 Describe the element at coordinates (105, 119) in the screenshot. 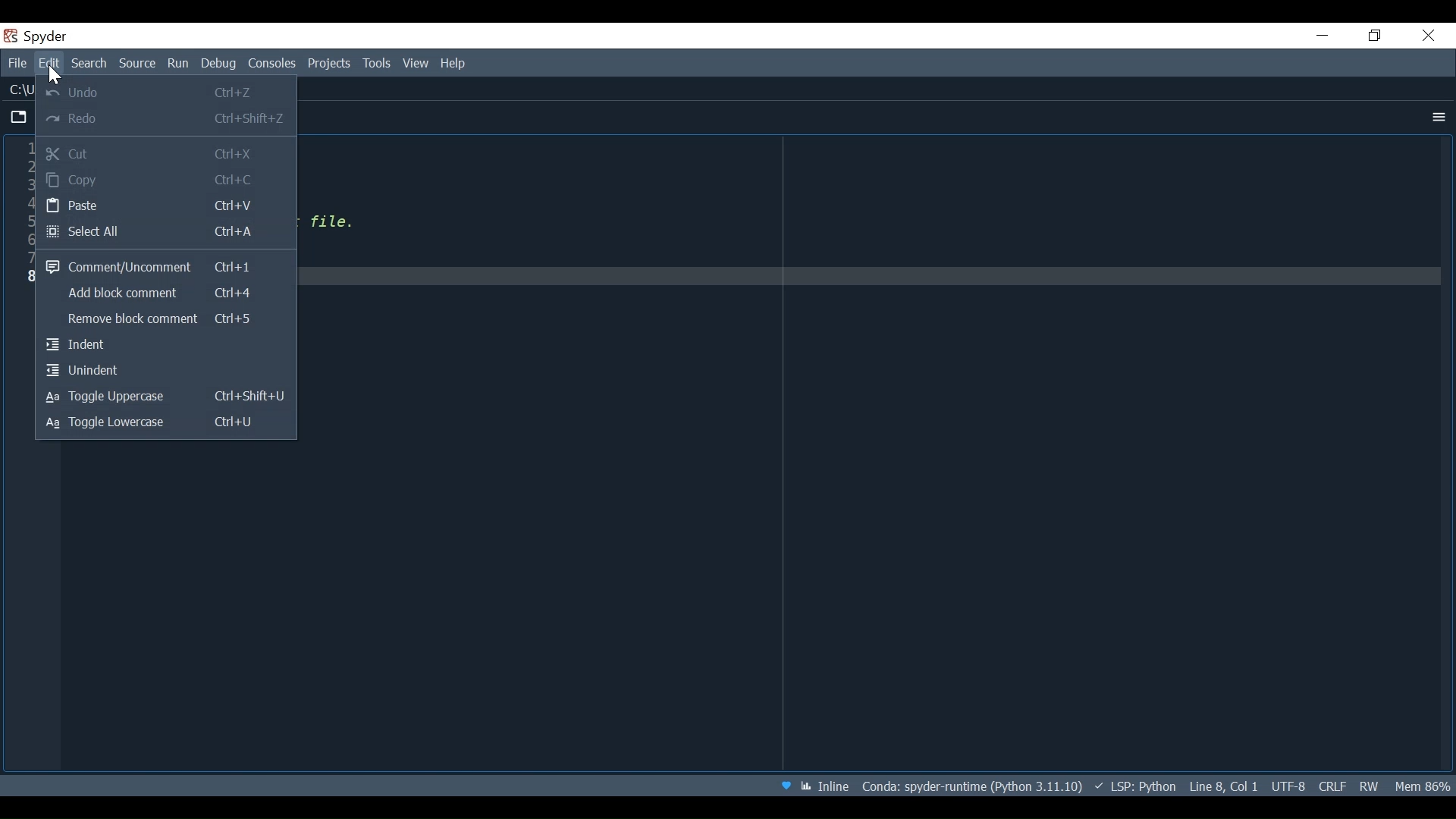

I see `Redo` at that location.